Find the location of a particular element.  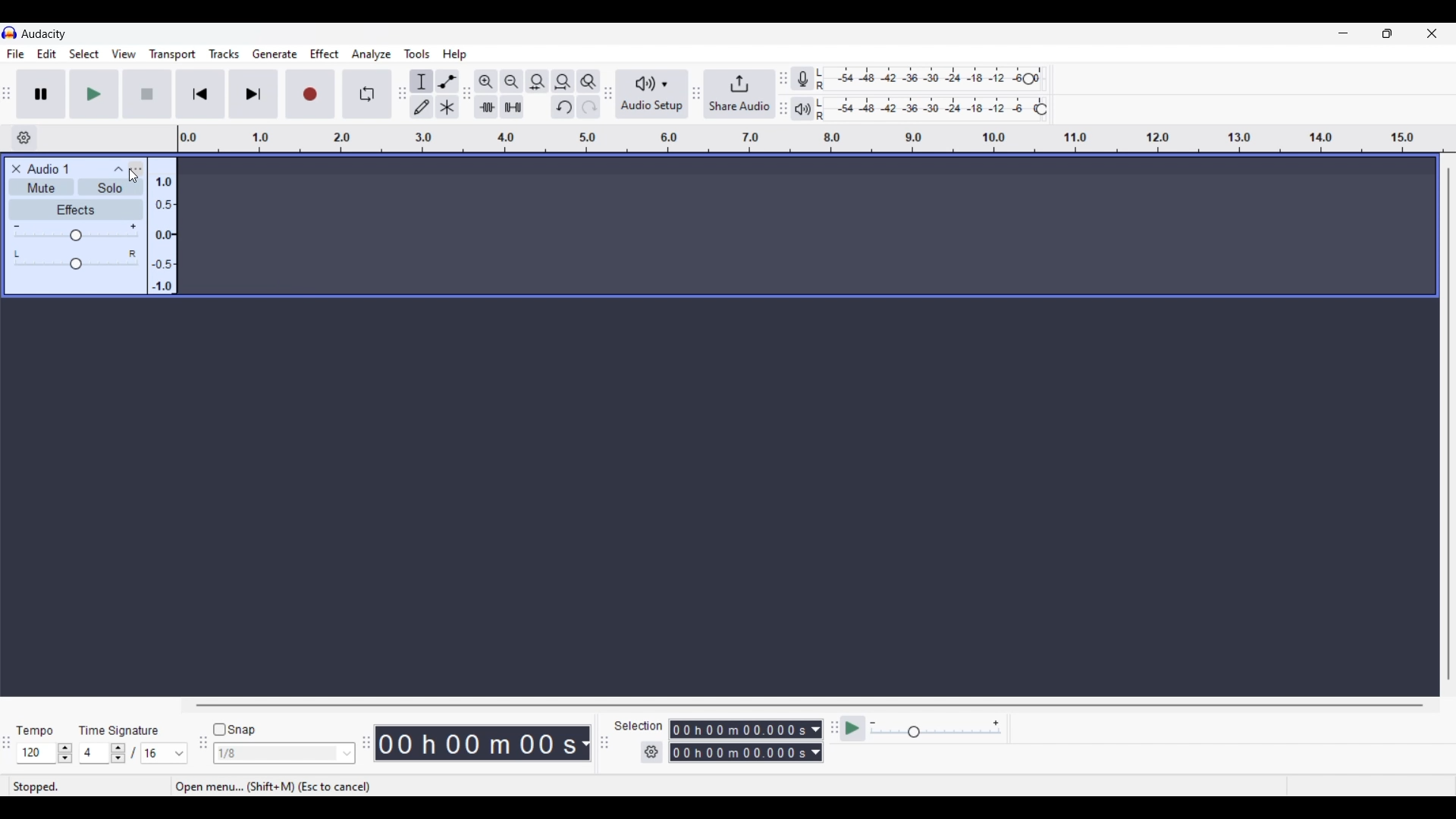

Tools menu is located at coordinates (417, 54).